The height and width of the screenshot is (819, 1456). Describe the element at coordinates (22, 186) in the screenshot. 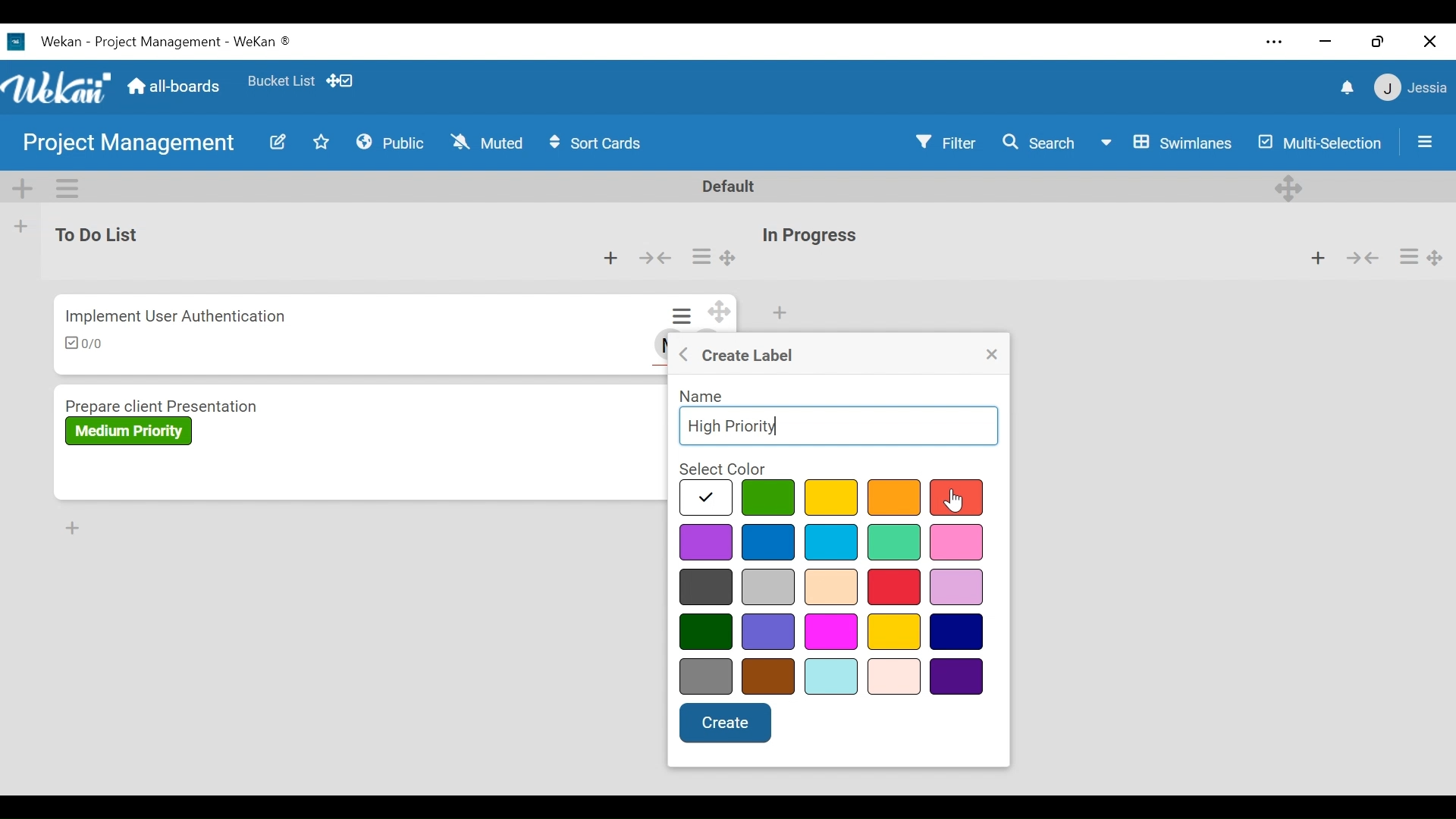

I see `Add Swimlane` at that location.